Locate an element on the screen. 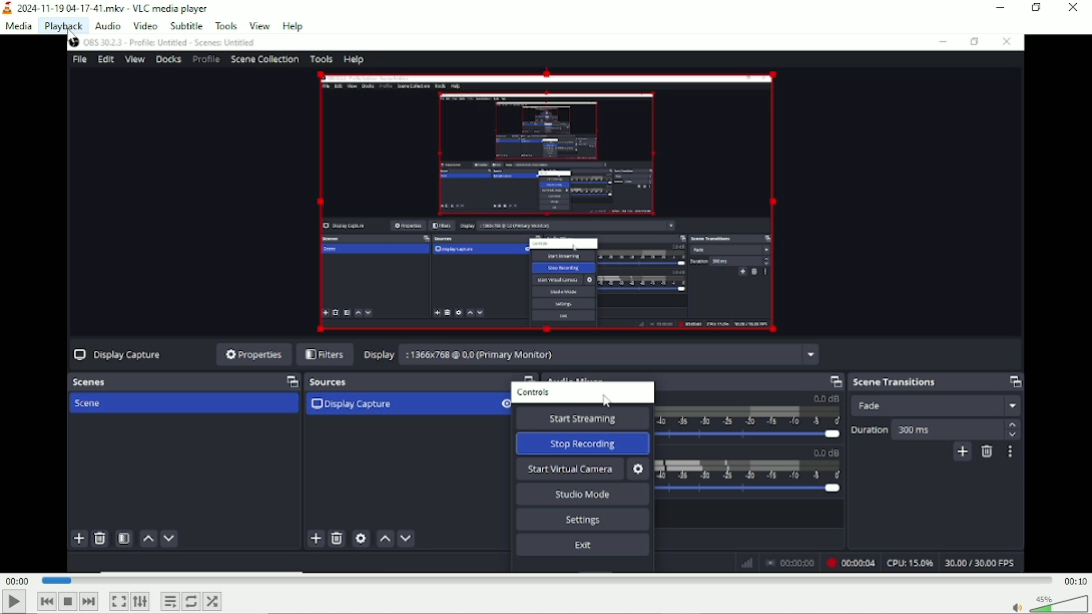 The image size is (1092, 614). Subtitle is located at coordinates (187, 25).